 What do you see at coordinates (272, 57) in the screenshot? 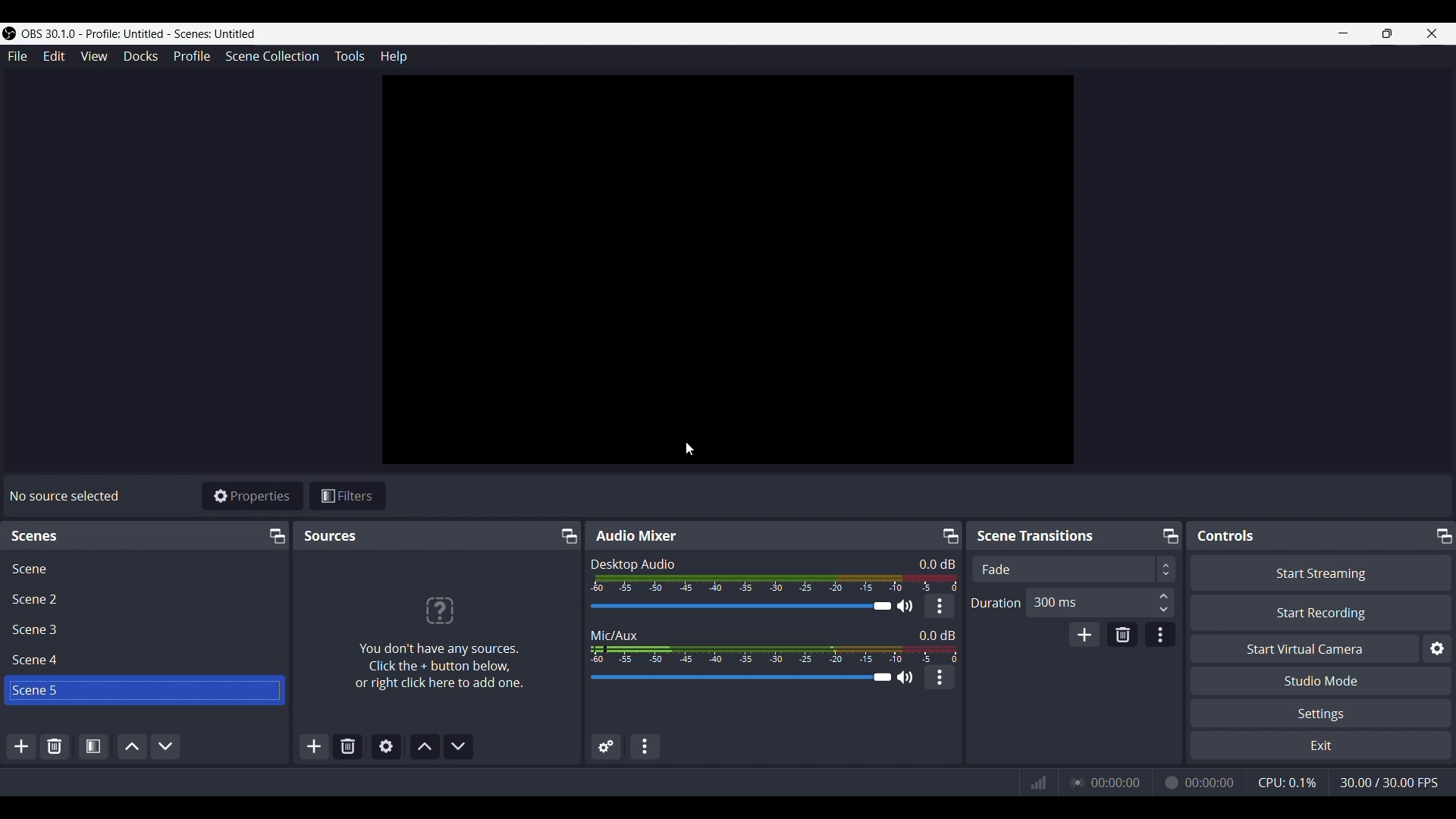
I see `Scene Collection` at bounding box center [272, 57].